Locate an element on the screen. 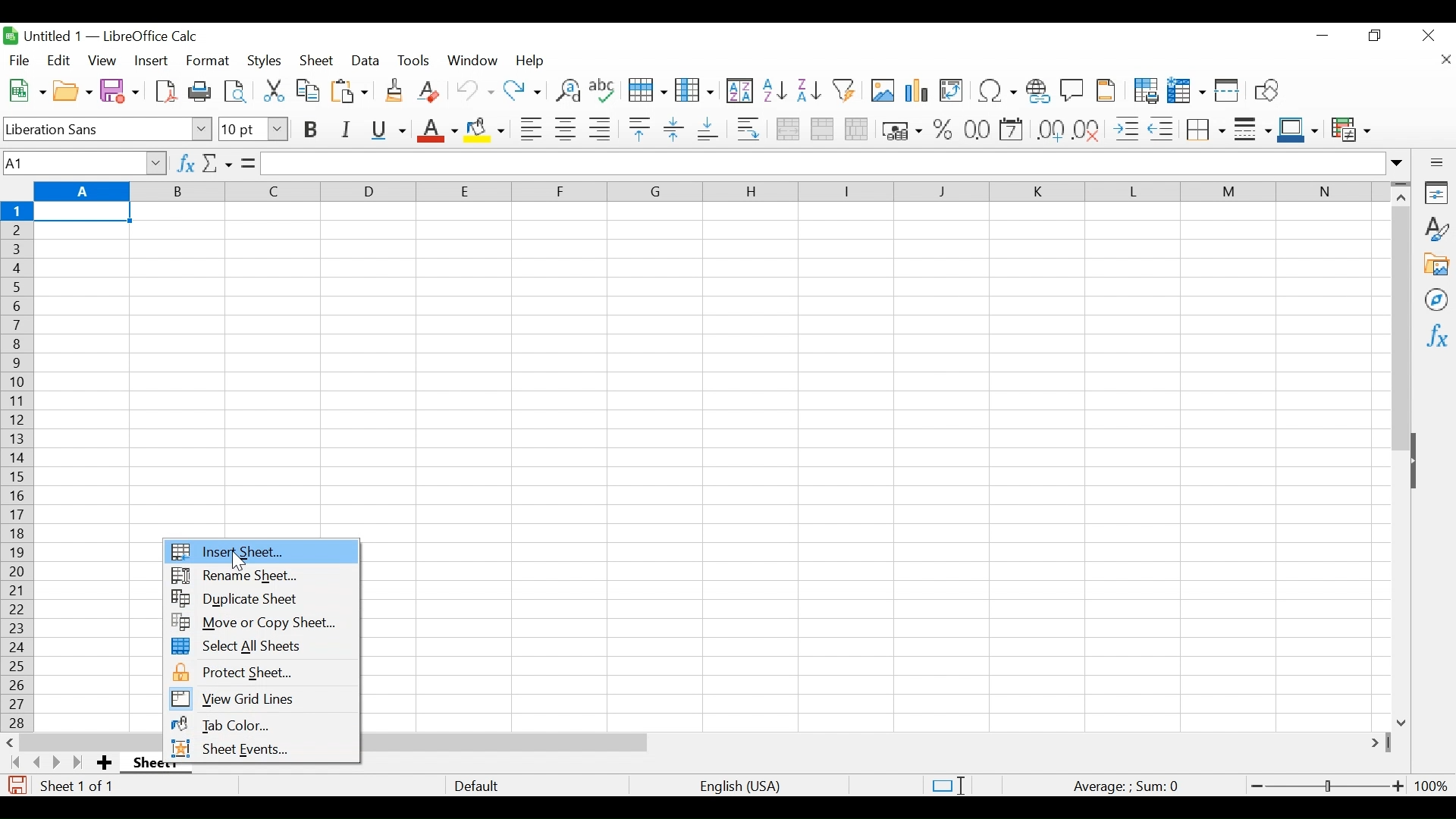 This screenshot has height=819, width=1456. Format as Date is located at coordinates (977, 131).